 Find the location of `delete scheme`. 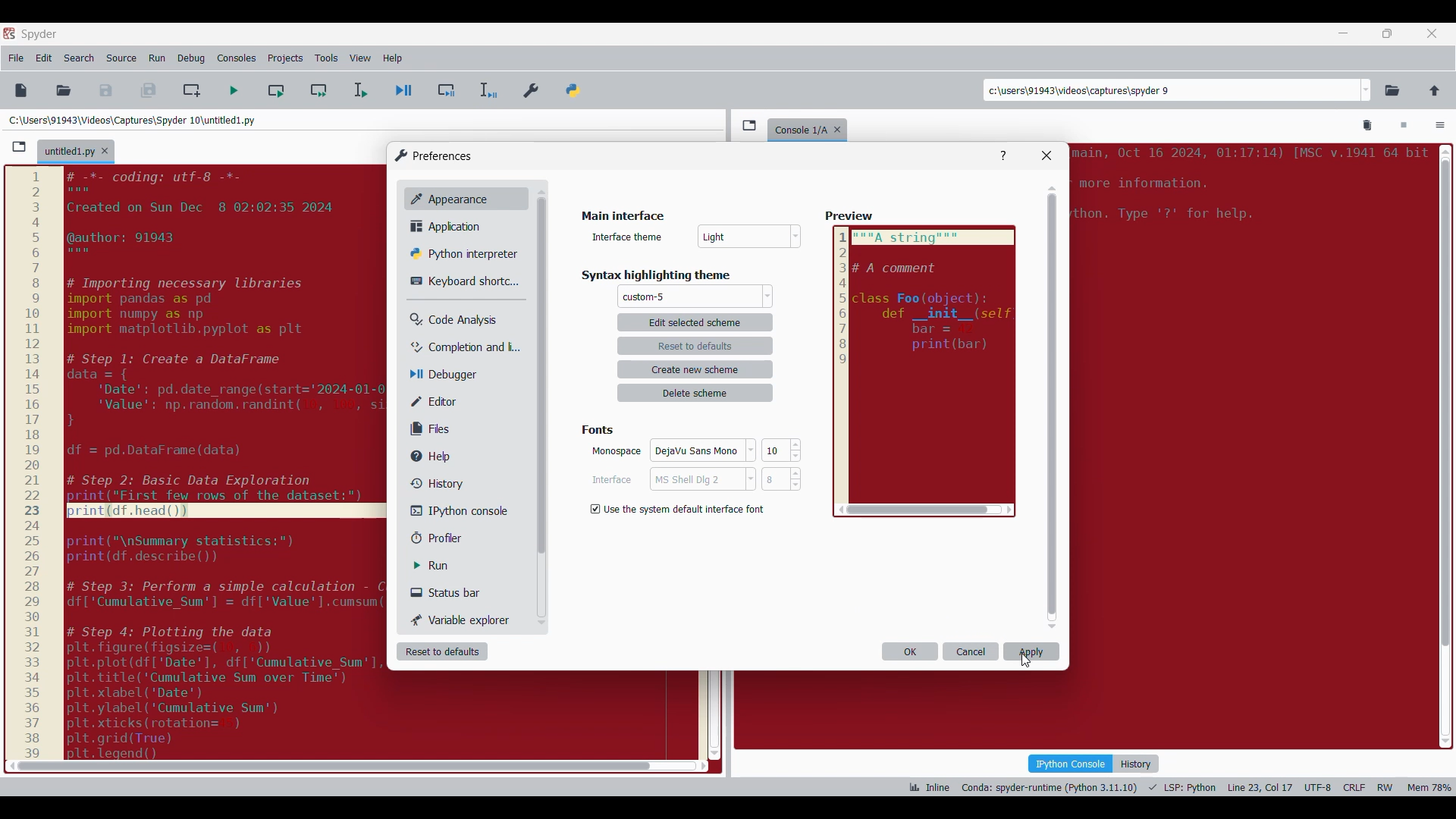

delete scheme is located at coordinates (696, 393).